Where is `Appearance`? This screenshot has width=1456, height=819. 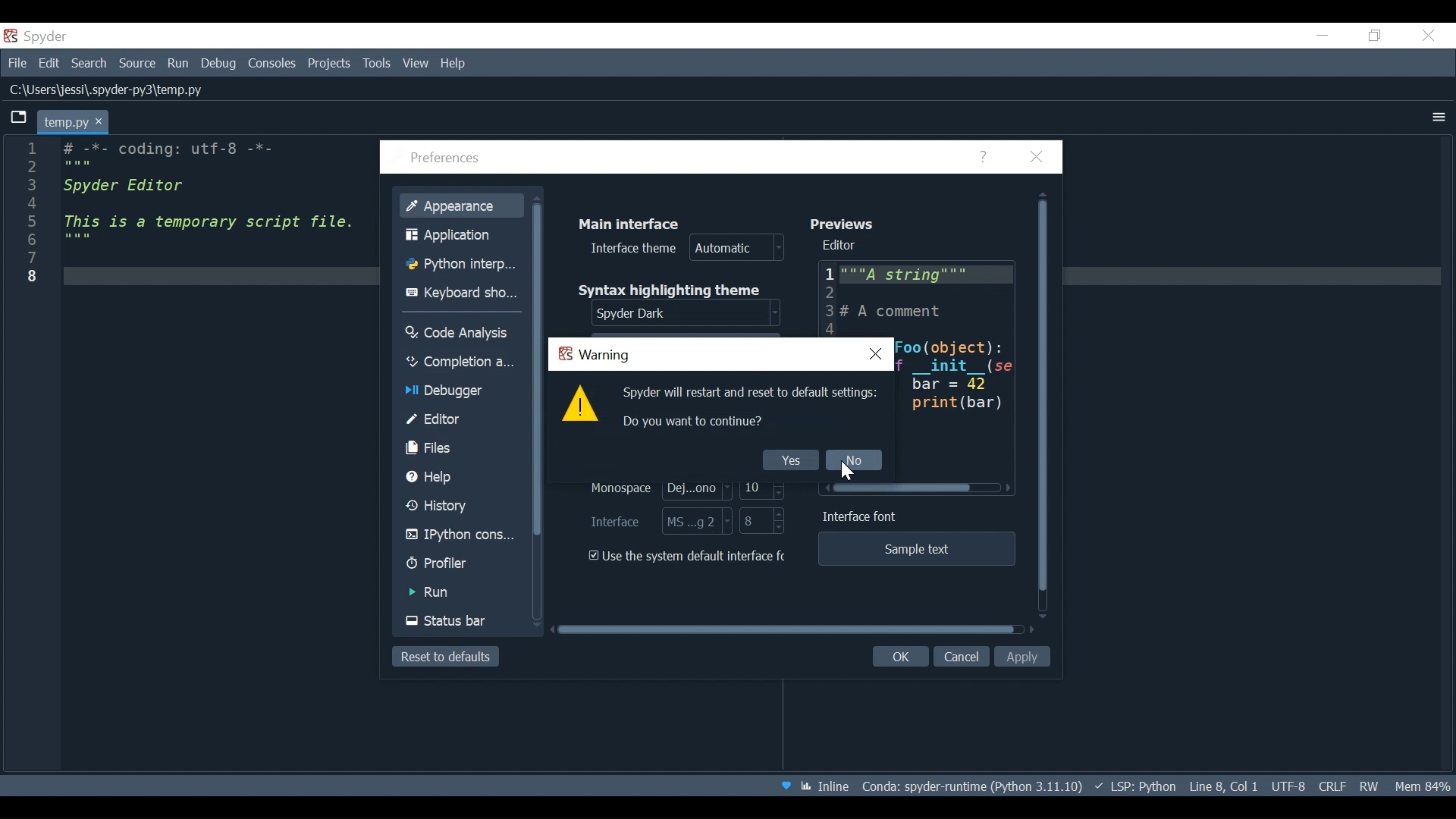
Appearance is located at coordinates (463, 204).